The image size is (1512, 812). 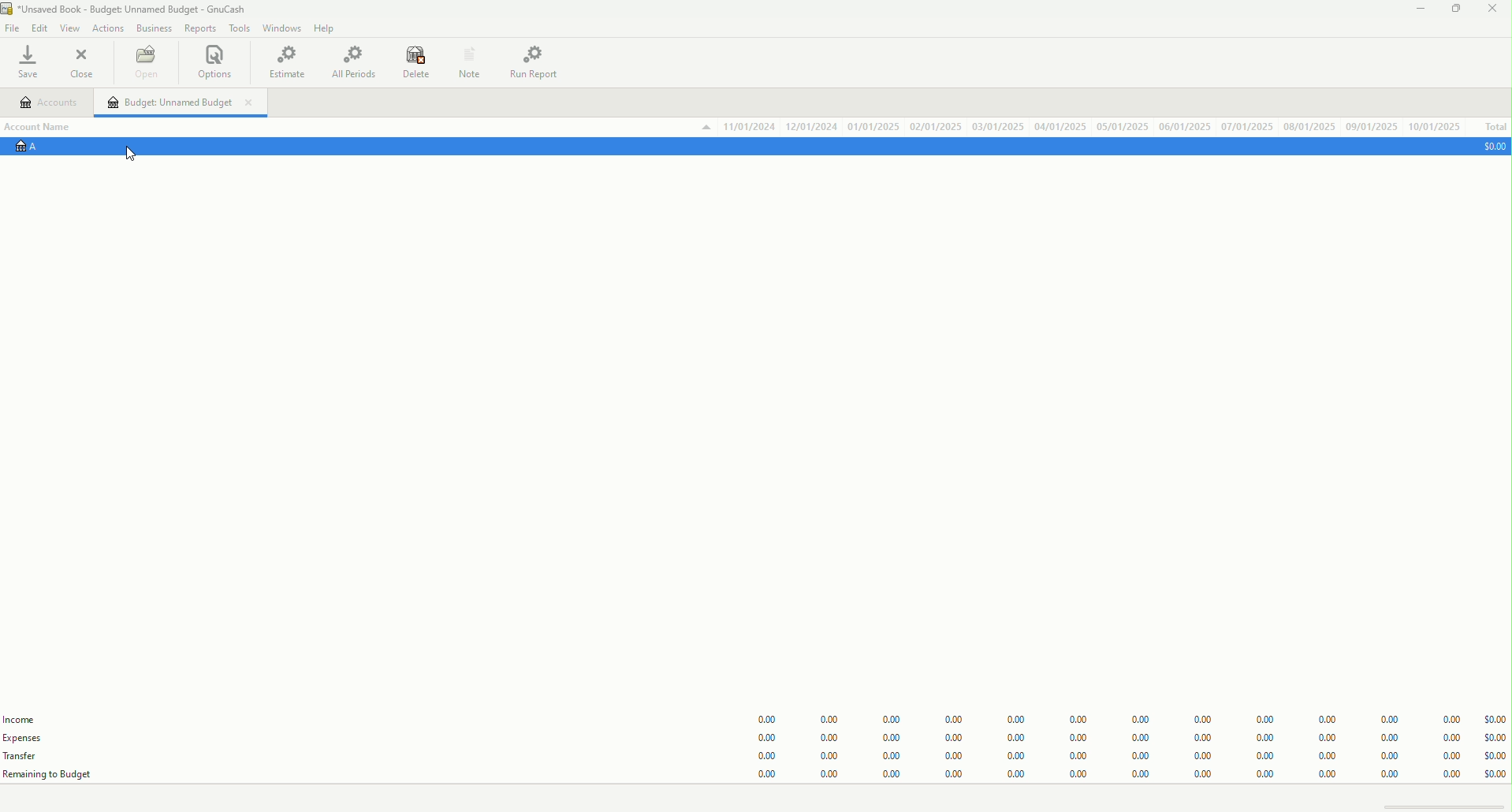 I want to click on Help, so click(x=327, y=30).